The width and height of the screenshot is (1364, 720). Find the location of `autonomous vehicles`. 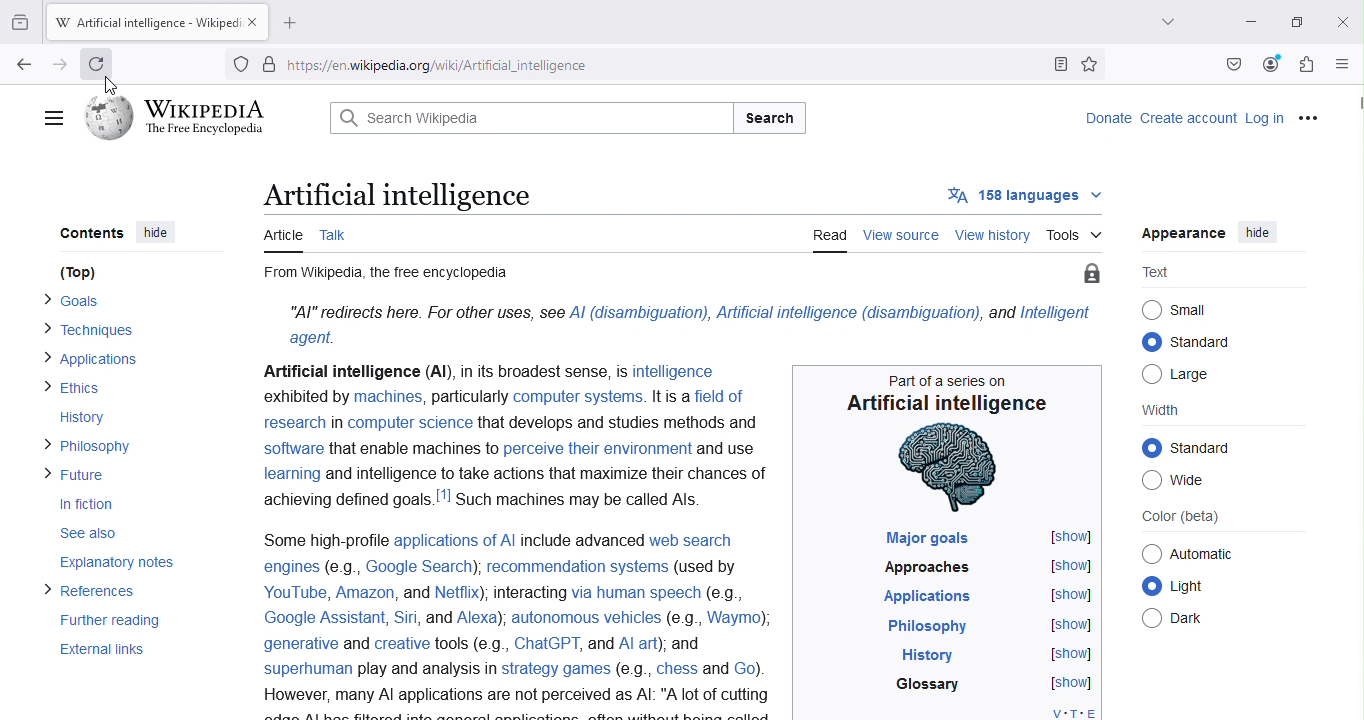

autonomous vehicles is located at coordinates (584, 618).